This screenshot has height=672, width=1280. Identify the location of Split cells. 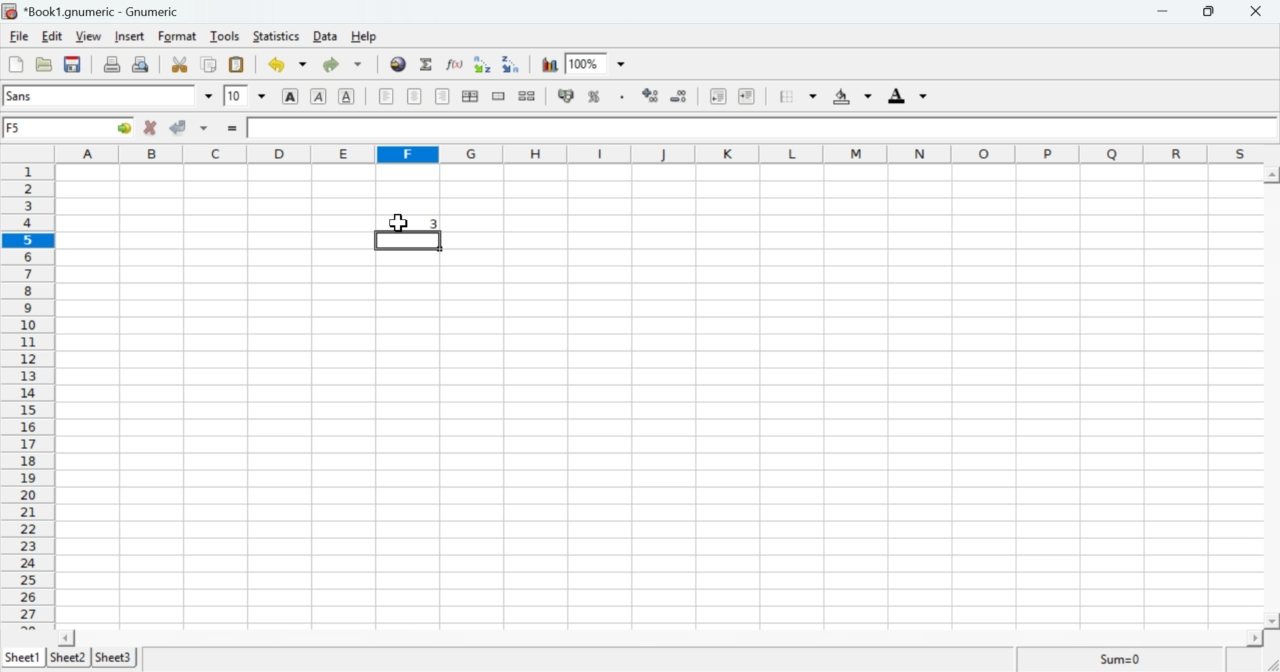
(529, 98).